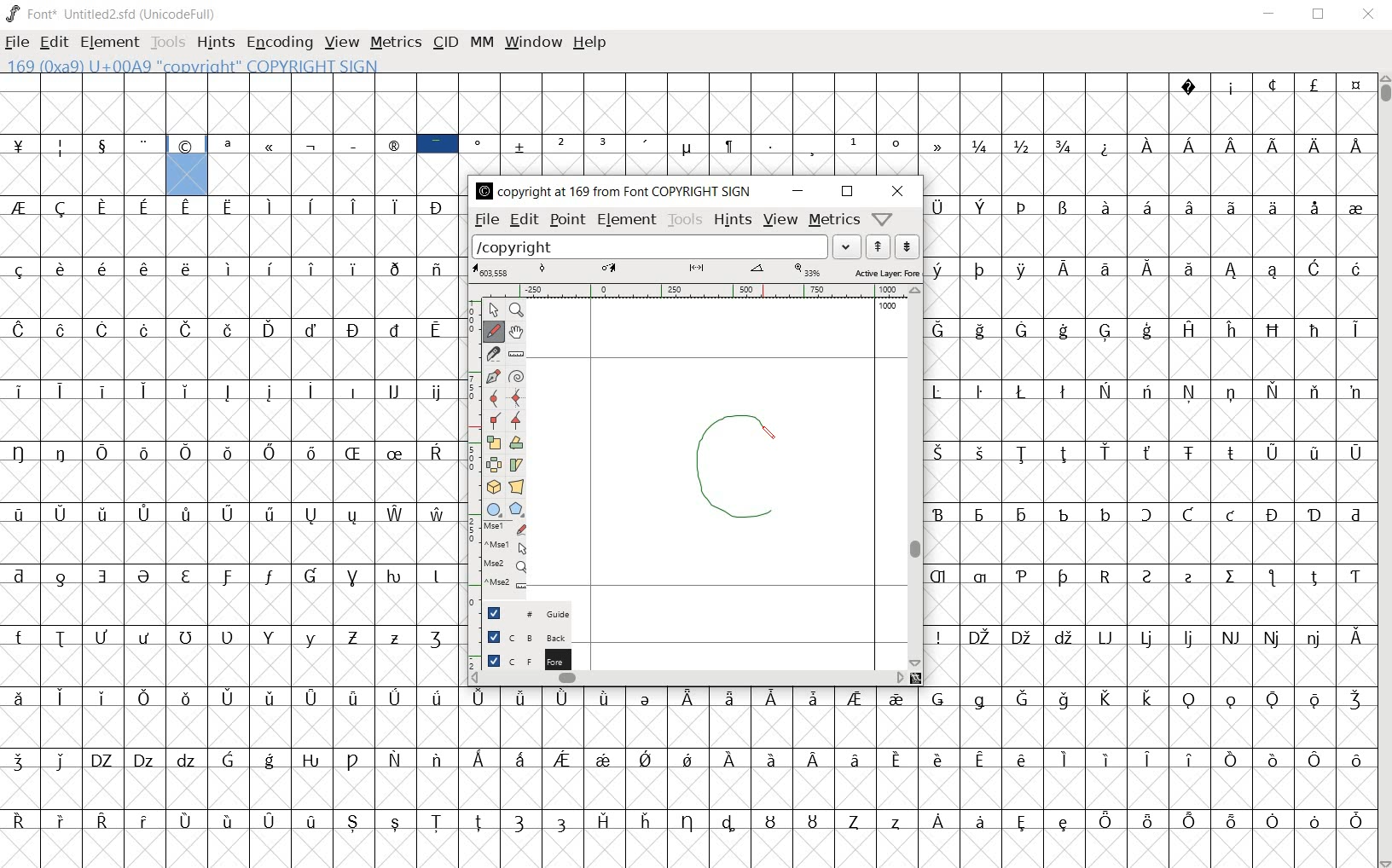  I want to click on minimize, so click(1269, 14).